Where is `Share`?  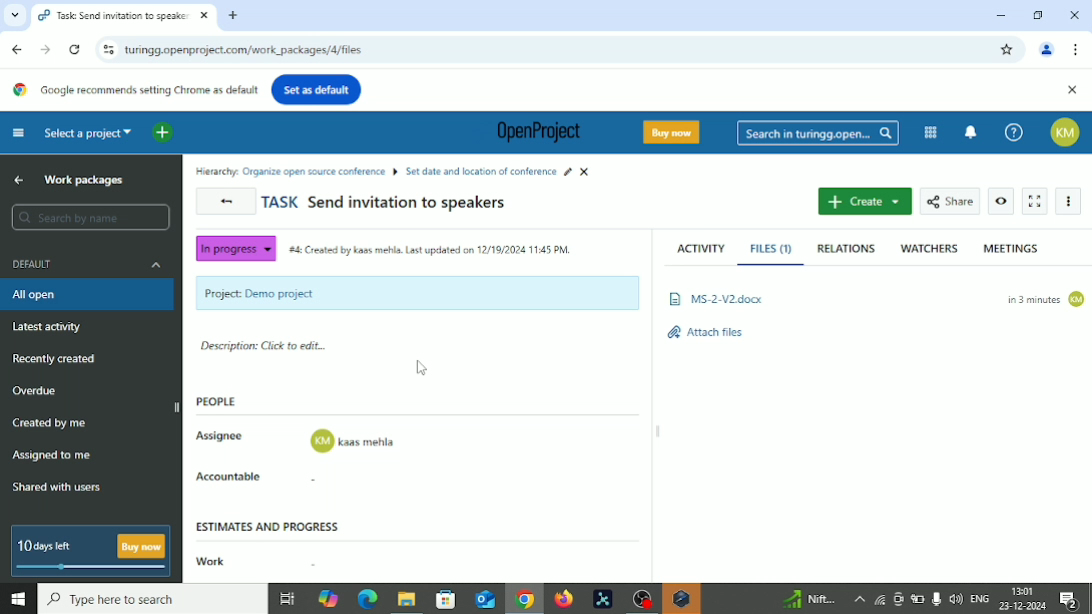
Share is located at coordinates (950, 200).